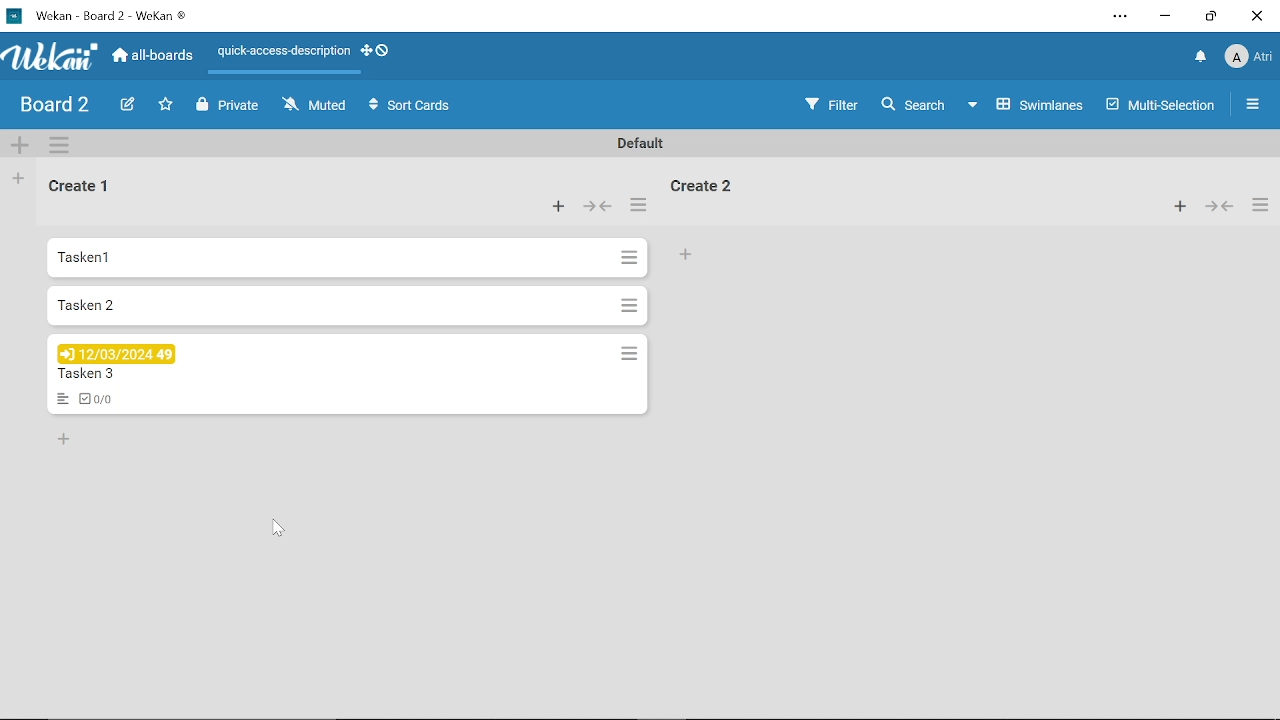  Describe the element at coordinates (278, 526) in the screenshot. I see `Cursor` at that location.